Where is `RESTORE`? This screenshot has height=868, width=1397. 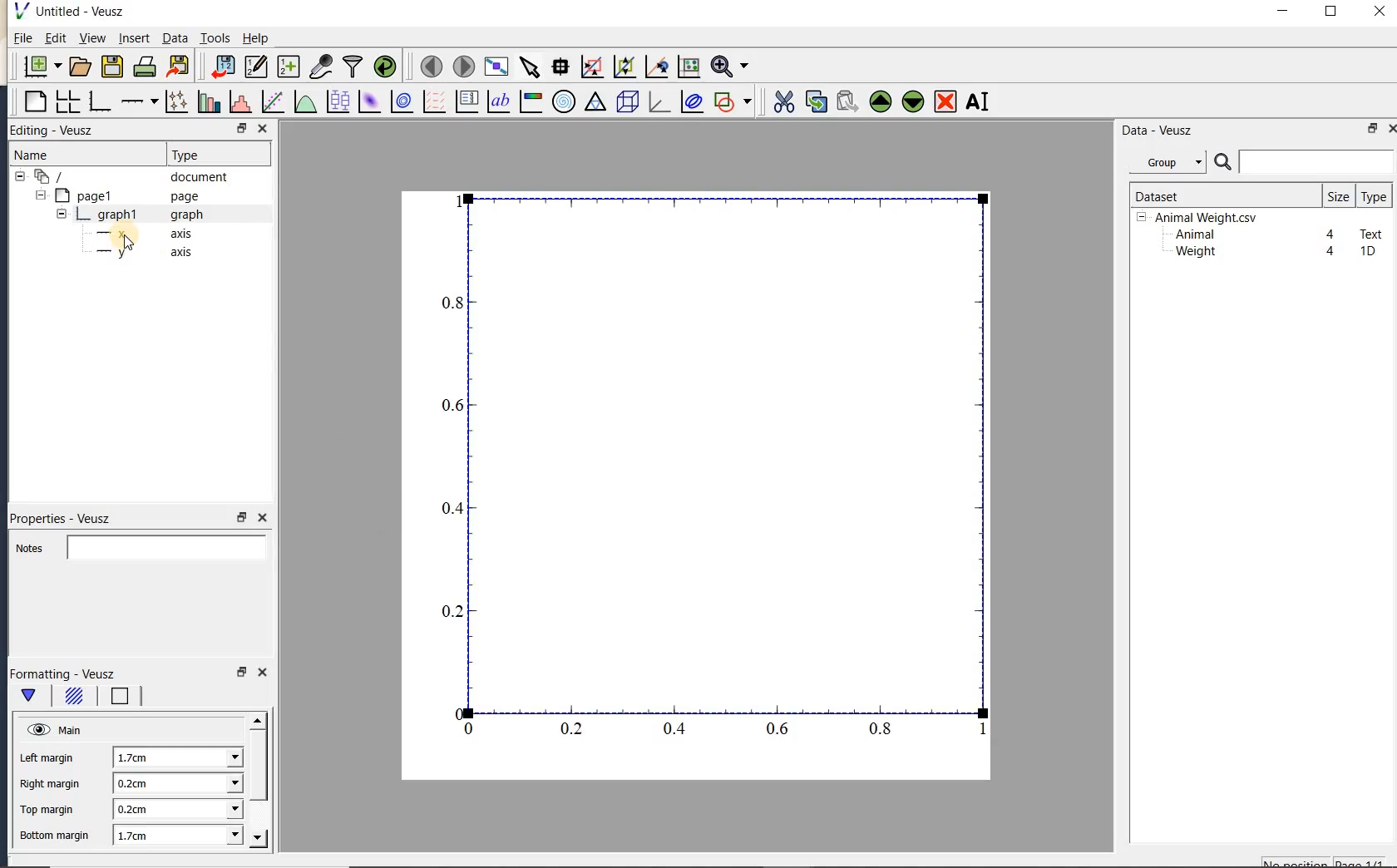 RESTORE is located at coordinates (239, 126).